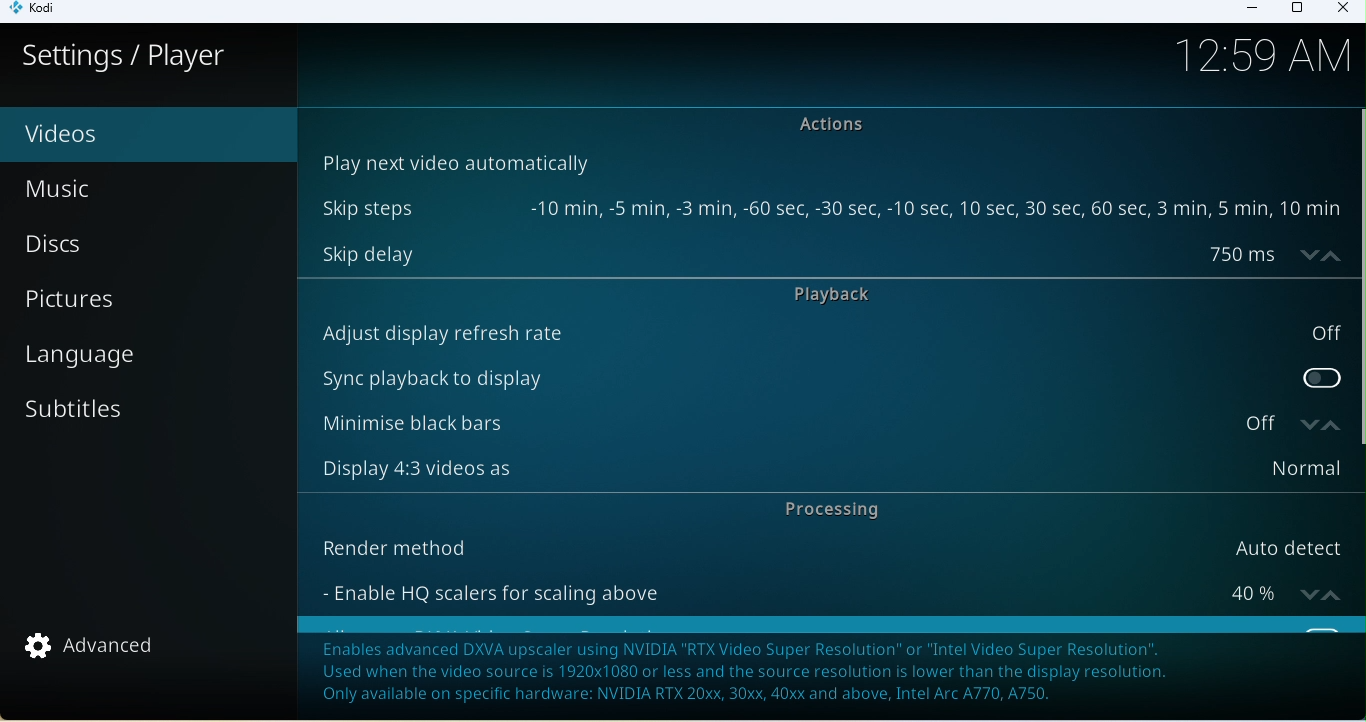  What do you see at coordinates (849, 296) in the screenshot?
I see `Playback` at bounding box center [849, 296].